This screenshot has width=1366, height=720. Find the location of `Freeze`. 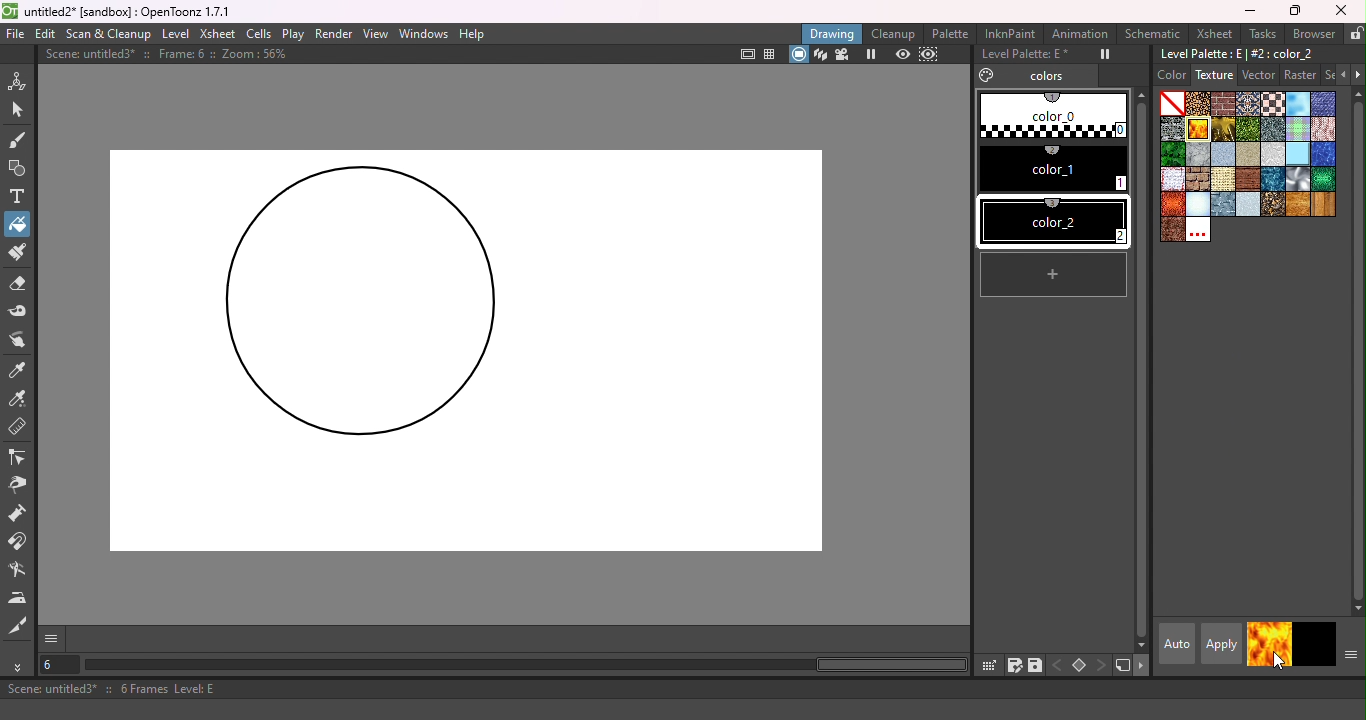

Freeze is located at coordinates (1099, 55).